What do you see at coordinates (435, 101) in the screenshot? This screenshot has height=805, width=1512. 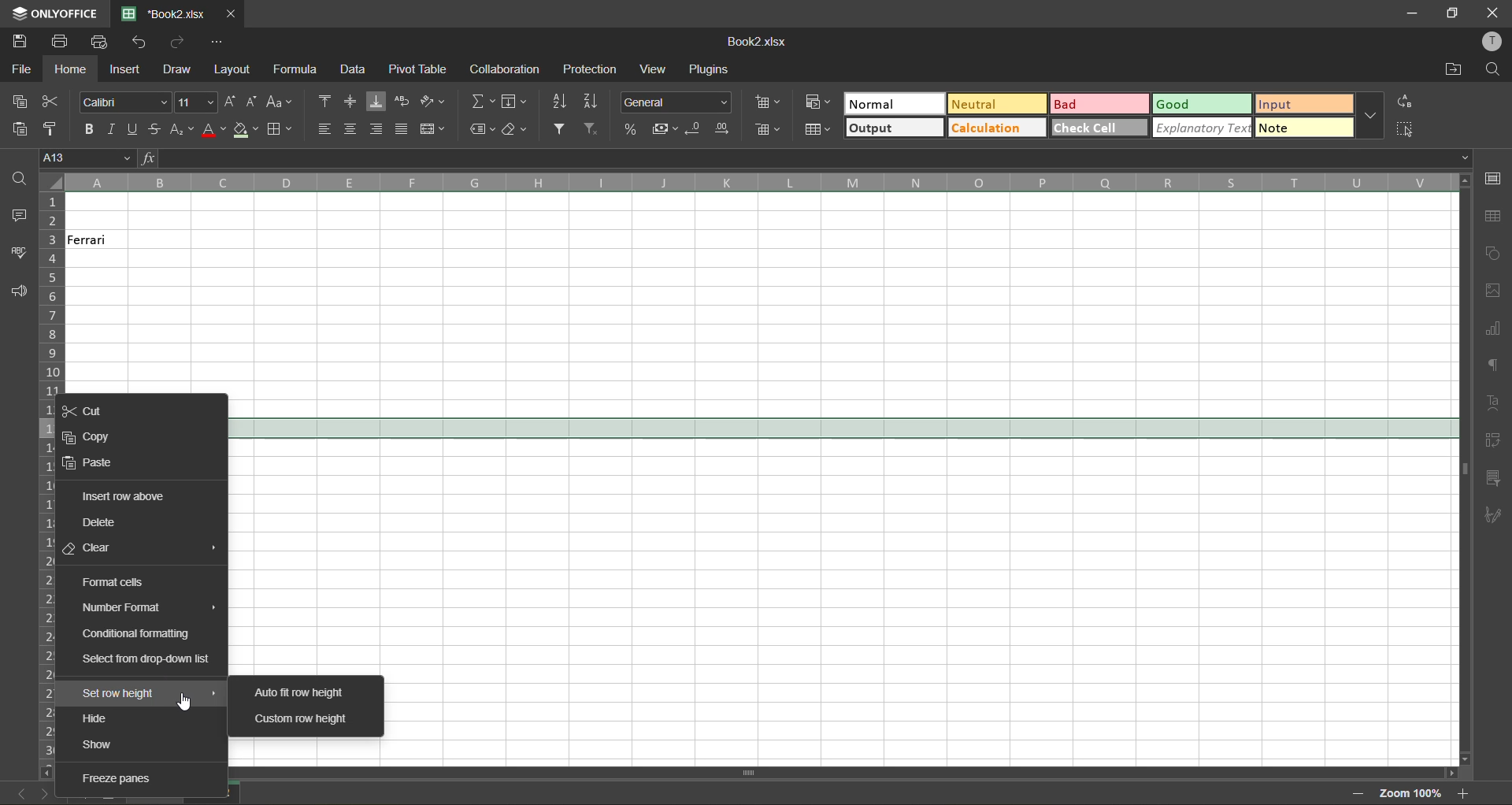 I see `orientation` at bounding box center [435, 101].